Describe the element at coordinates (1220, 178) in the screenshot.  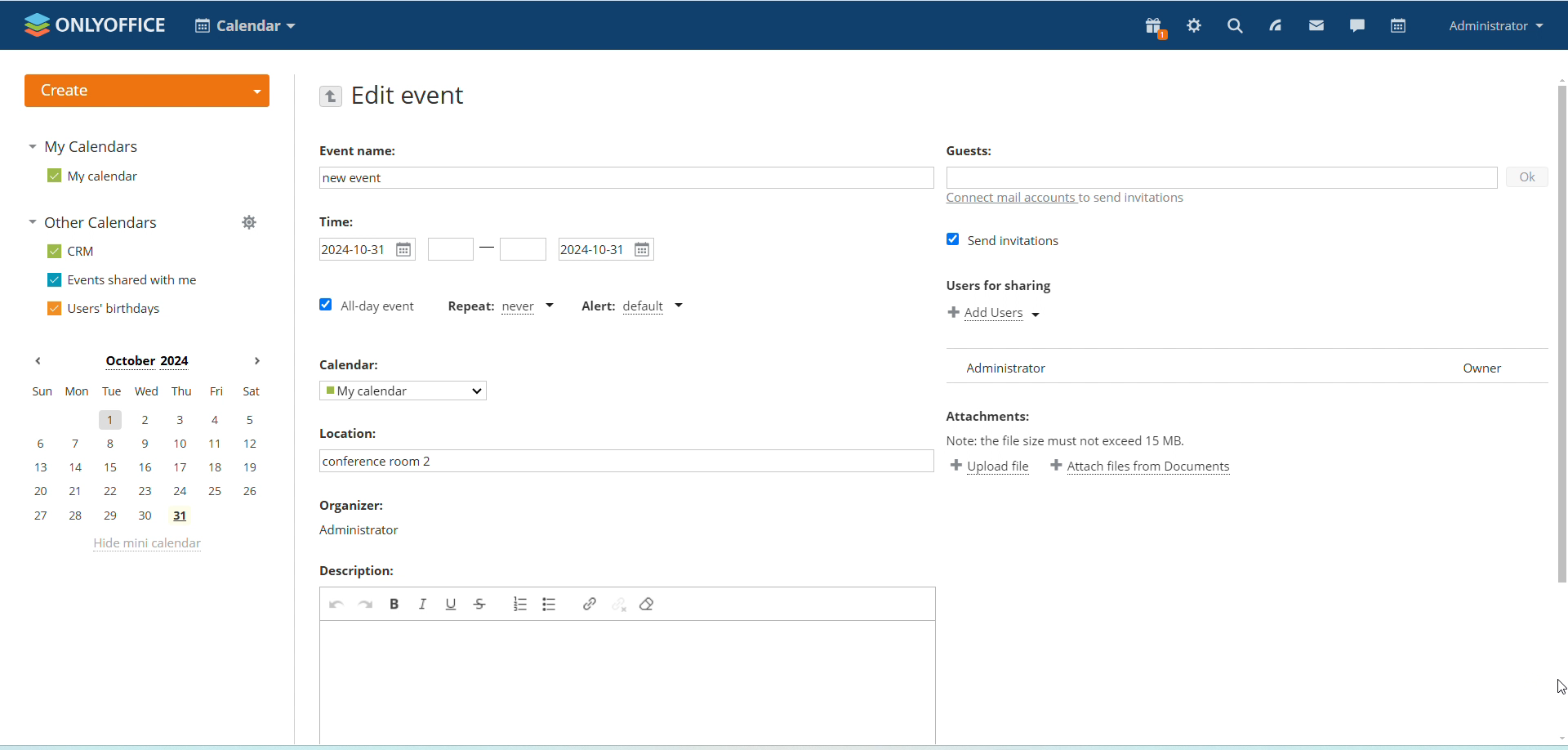
I see `add guests` at that location.